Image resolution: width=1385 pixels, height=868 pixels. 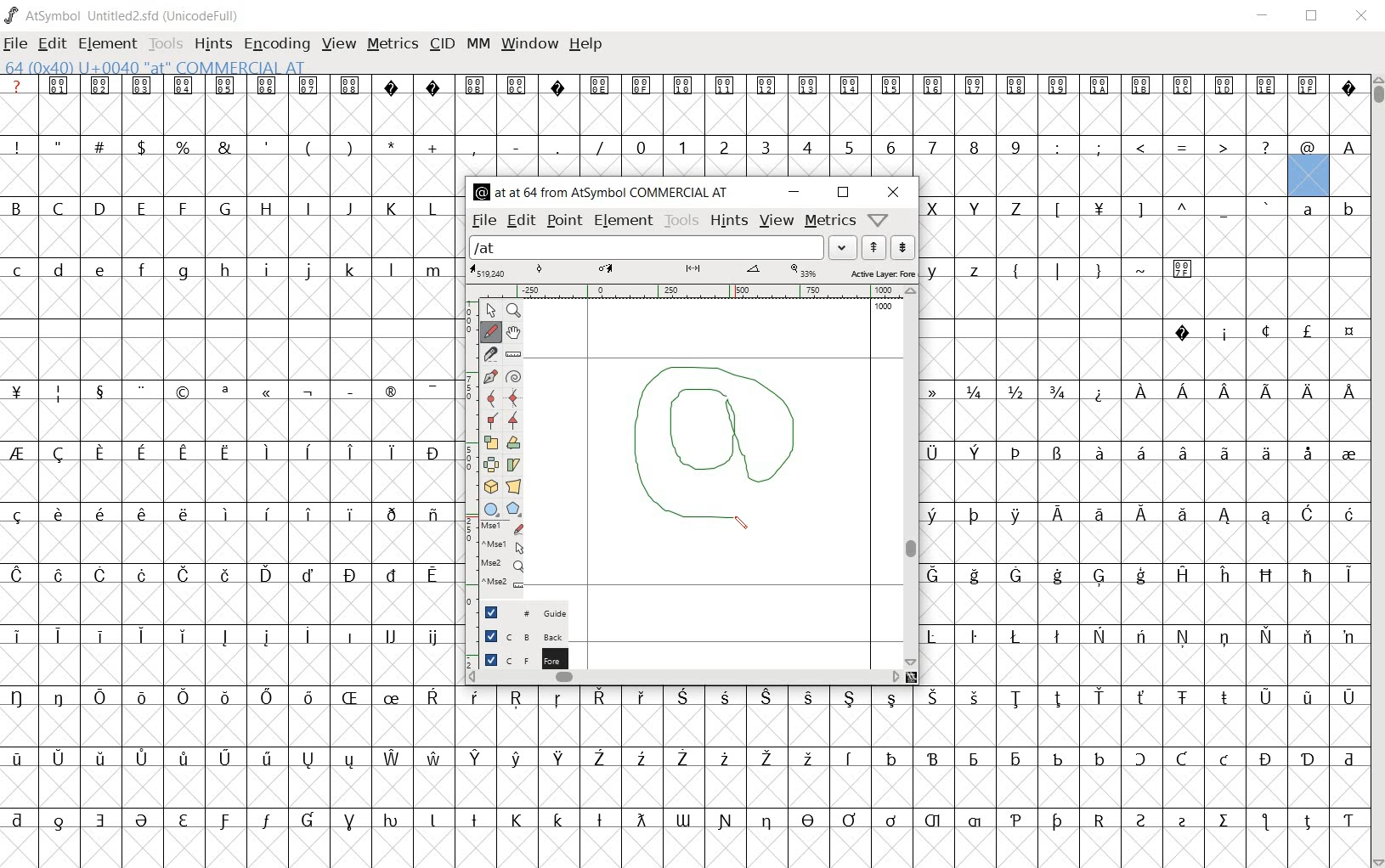 What do you see at coordinates (911, 476) in the screenshot?
I see `scrollbar` at bounding box center [911, 476].